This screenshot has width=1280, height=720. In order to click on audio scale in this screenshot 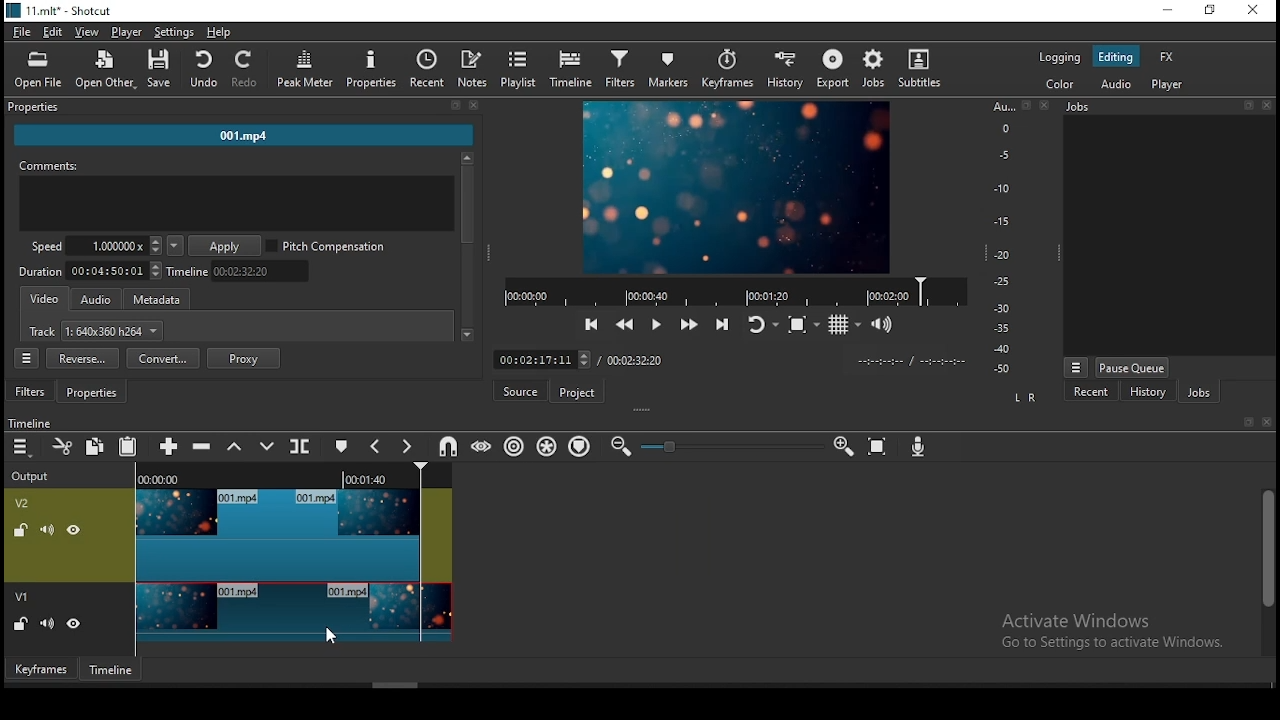, I will do `click(1017, 239)`.